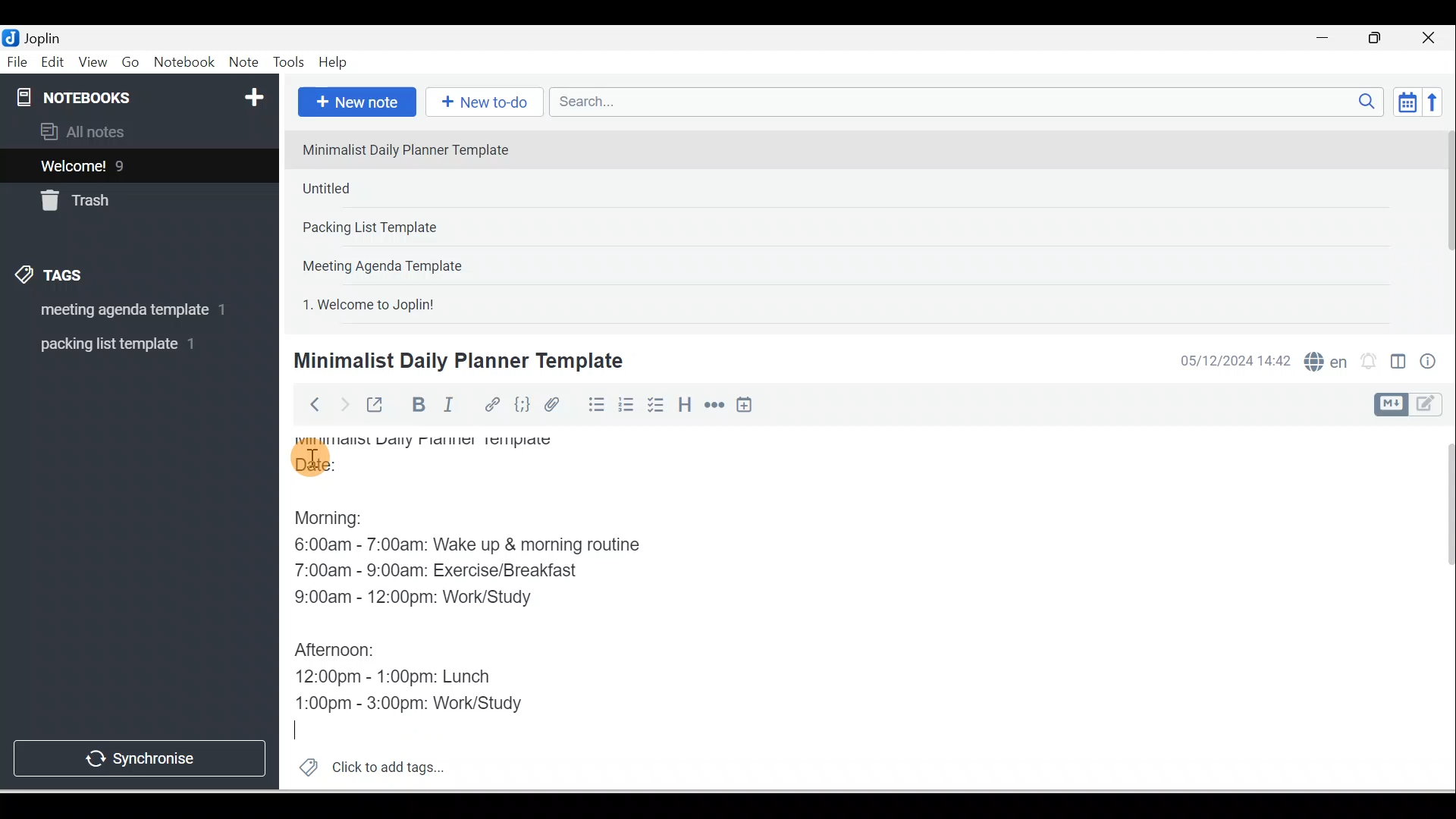 Image resolution: width=1456 pixels, height=819 pixels. I want to click on Hyperlink, so click(491, 406).